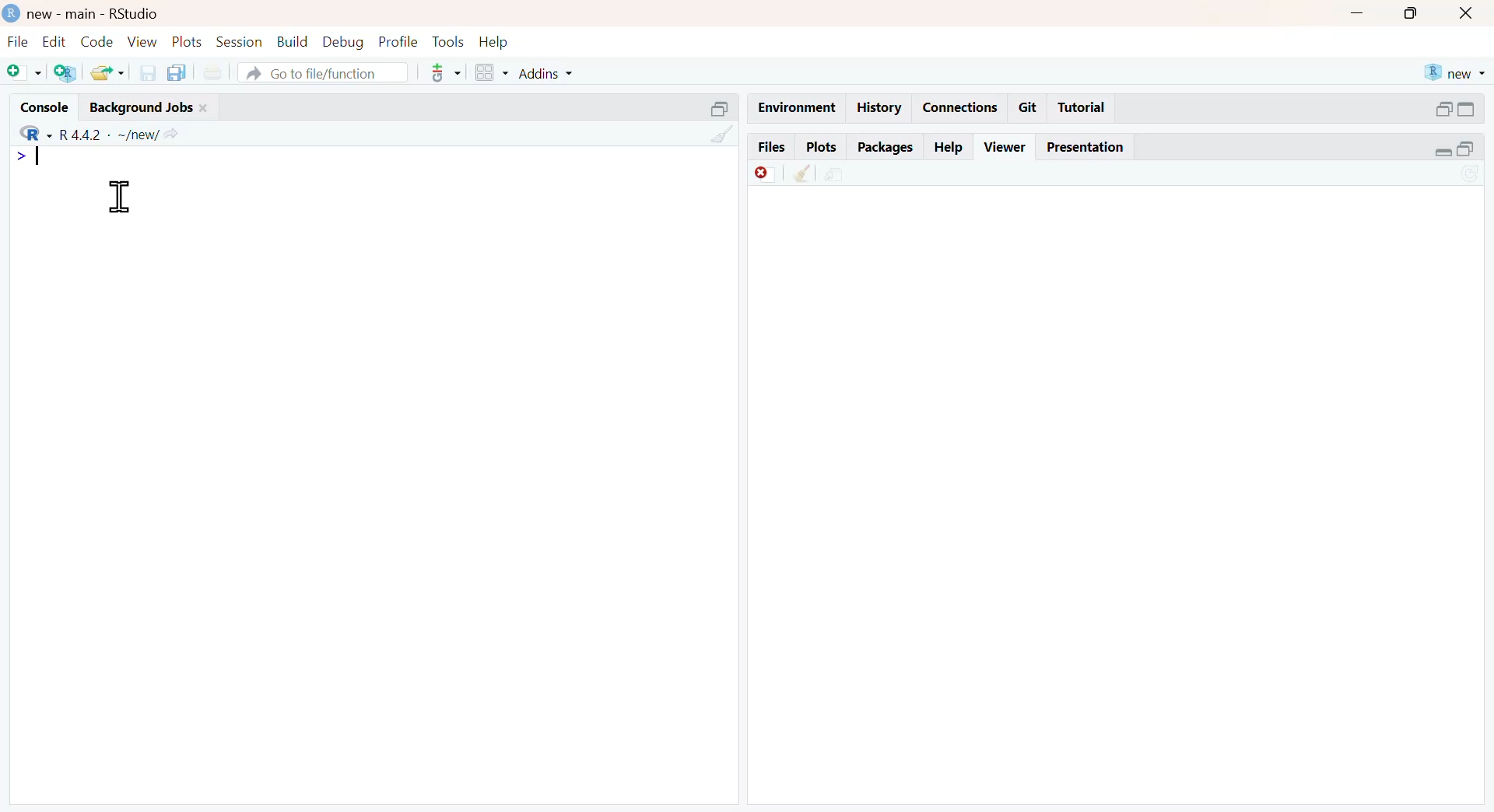 The height and width of the screenshot is (812, 1494). What do you see at coordinates (801, 174) in the screenshot?
I see `clean` at bounding box center [801, 174].